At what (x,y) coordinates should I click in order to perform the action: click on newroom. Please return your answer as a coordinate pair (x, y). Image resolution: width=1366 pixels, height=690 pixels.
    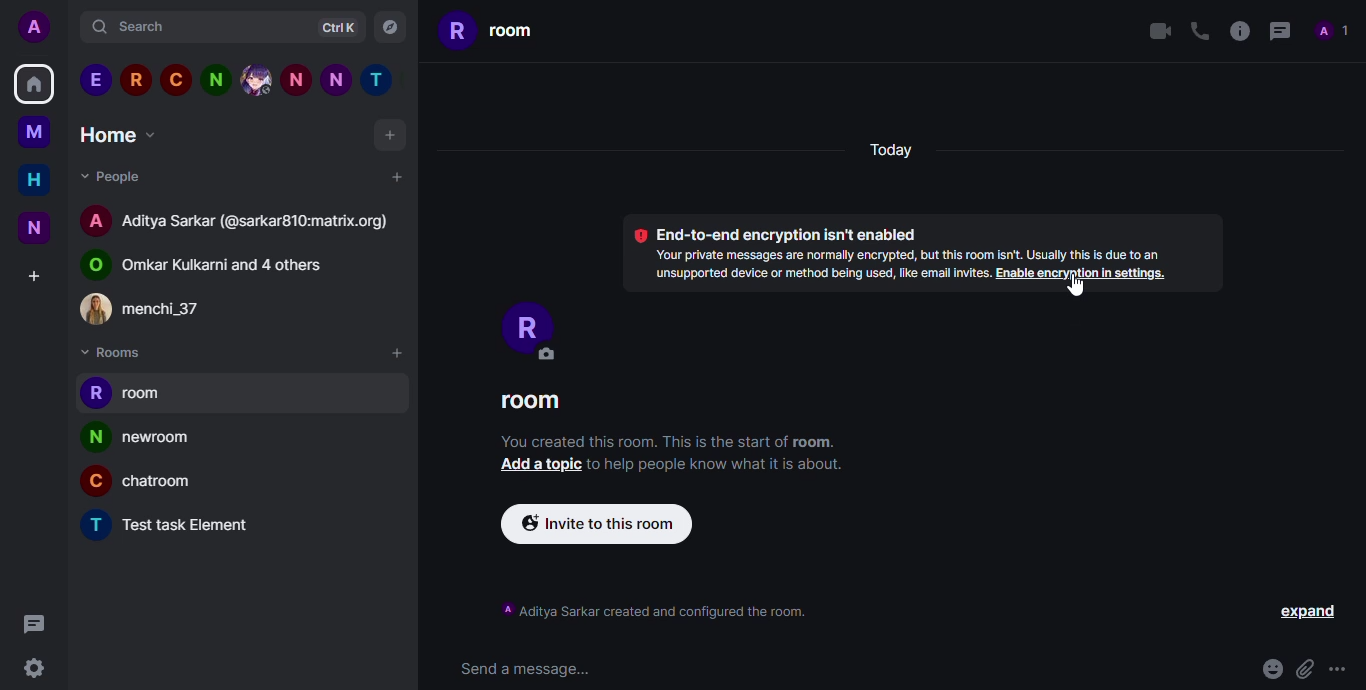
    Looking at the image, I should click on (138, 435).